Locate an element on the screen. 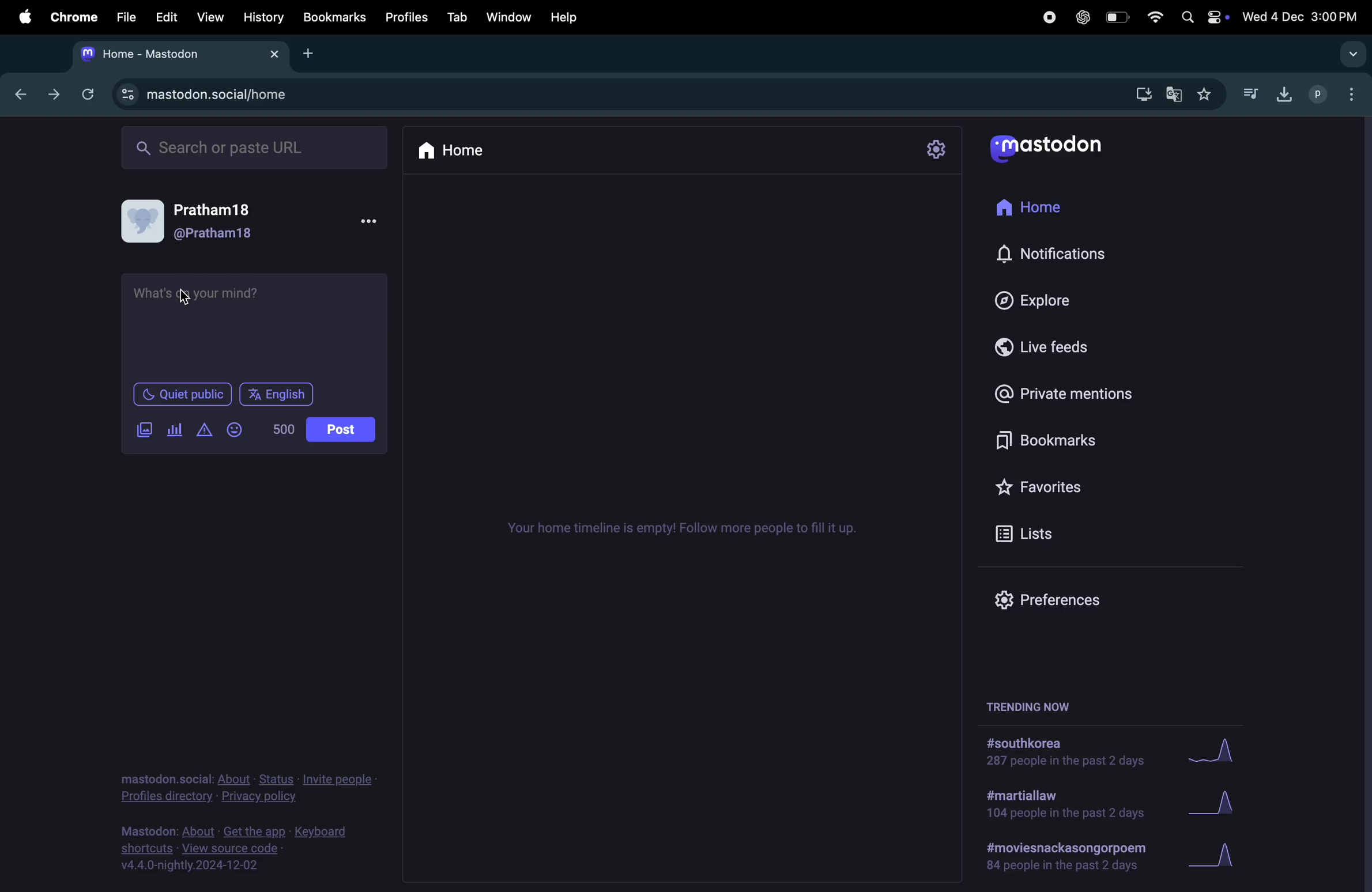 This screenshot has width=1372, height=892. tab is located at coordinates (455, 18).